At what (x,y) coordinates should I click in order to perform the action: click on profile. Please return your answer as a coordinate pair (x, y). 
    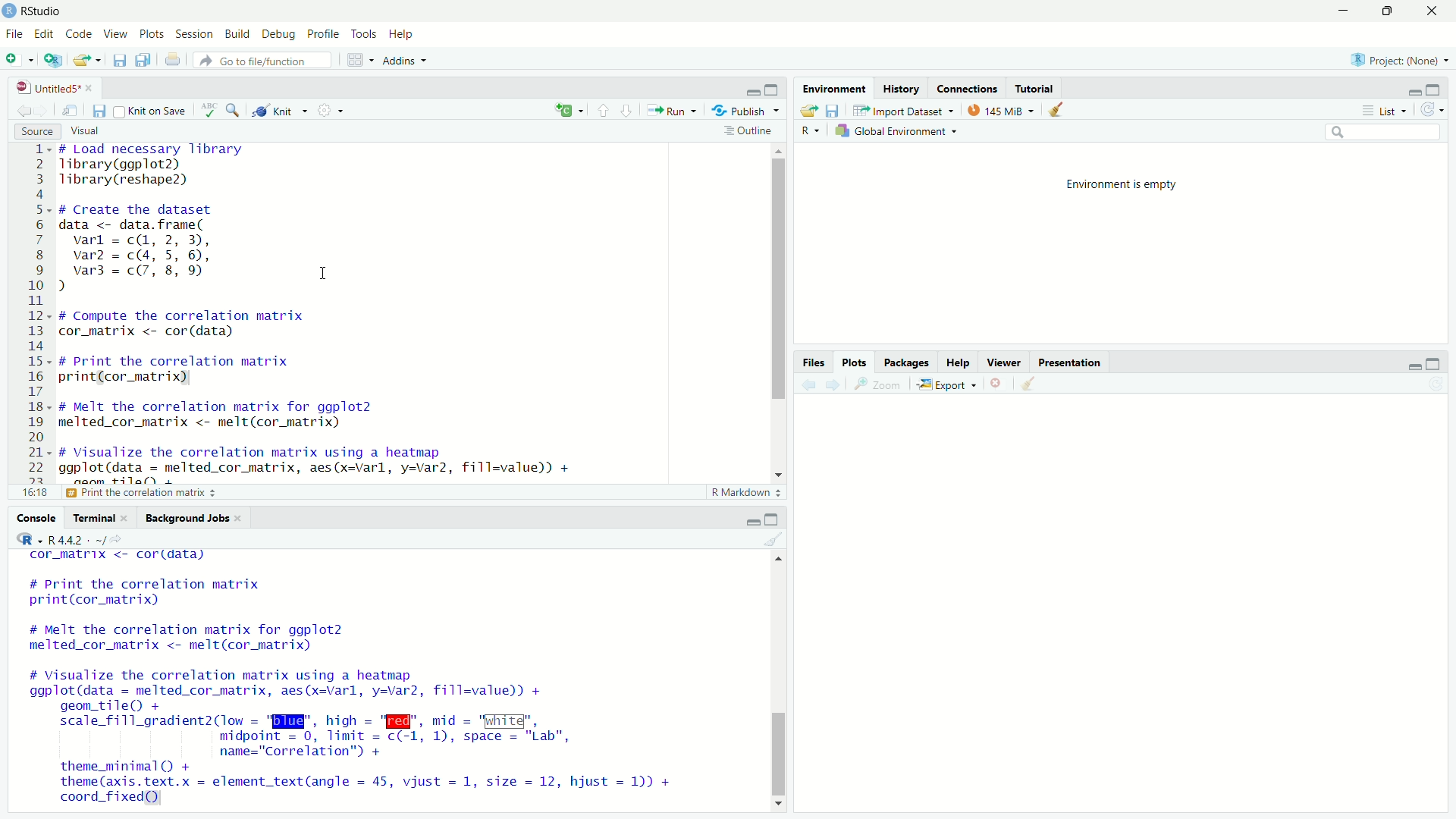
    Looking at the image, I should click on (324, 35).